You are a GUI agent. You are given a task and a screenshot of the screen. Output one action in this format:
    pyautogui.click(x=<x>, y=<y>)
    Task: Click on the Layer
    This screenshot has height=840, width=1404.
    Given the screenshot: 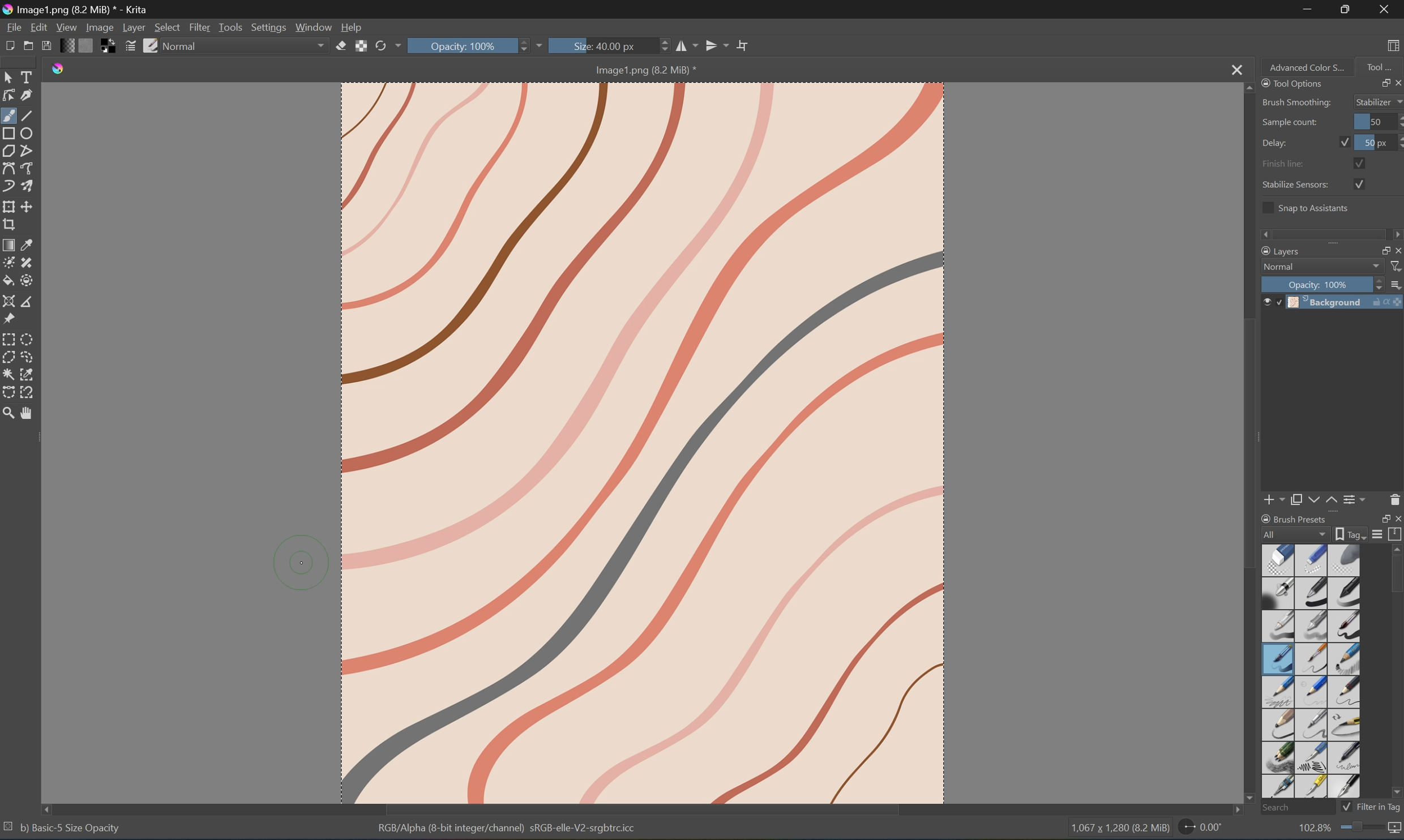 What is the action you would take?
    pyautogui.click(x=134, y=27)
    